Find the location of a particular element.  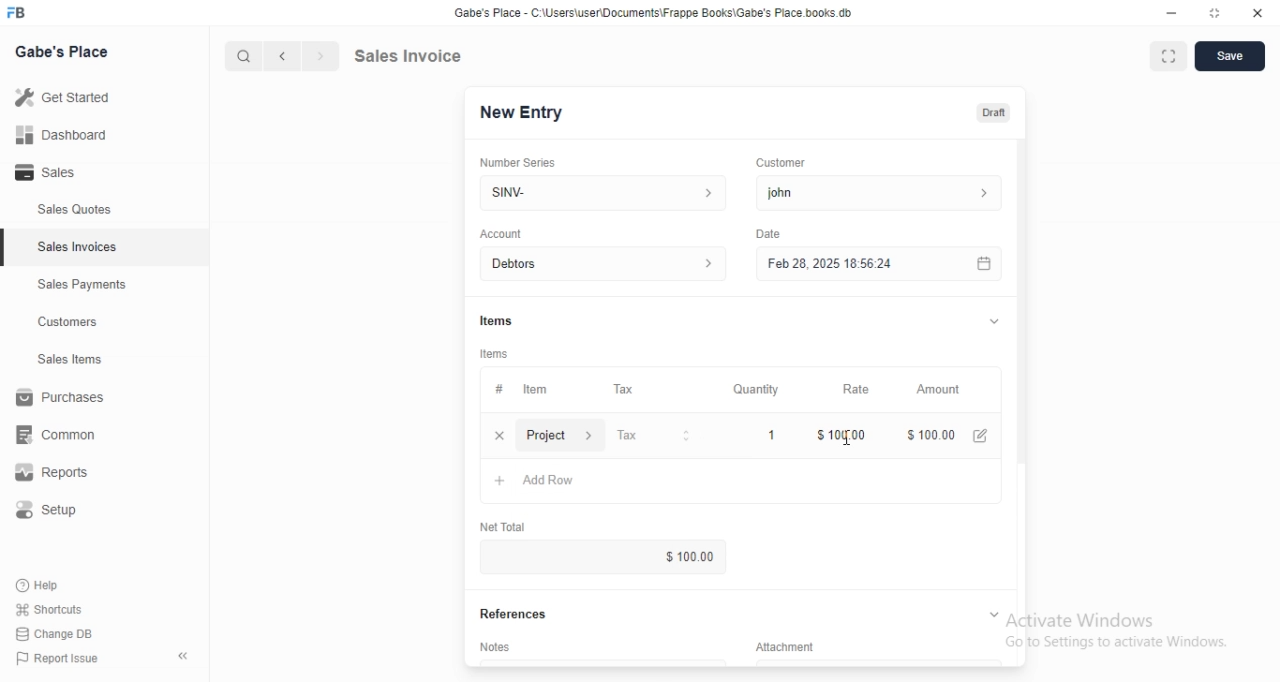

‘Notes is located at coordinates (499, 650).